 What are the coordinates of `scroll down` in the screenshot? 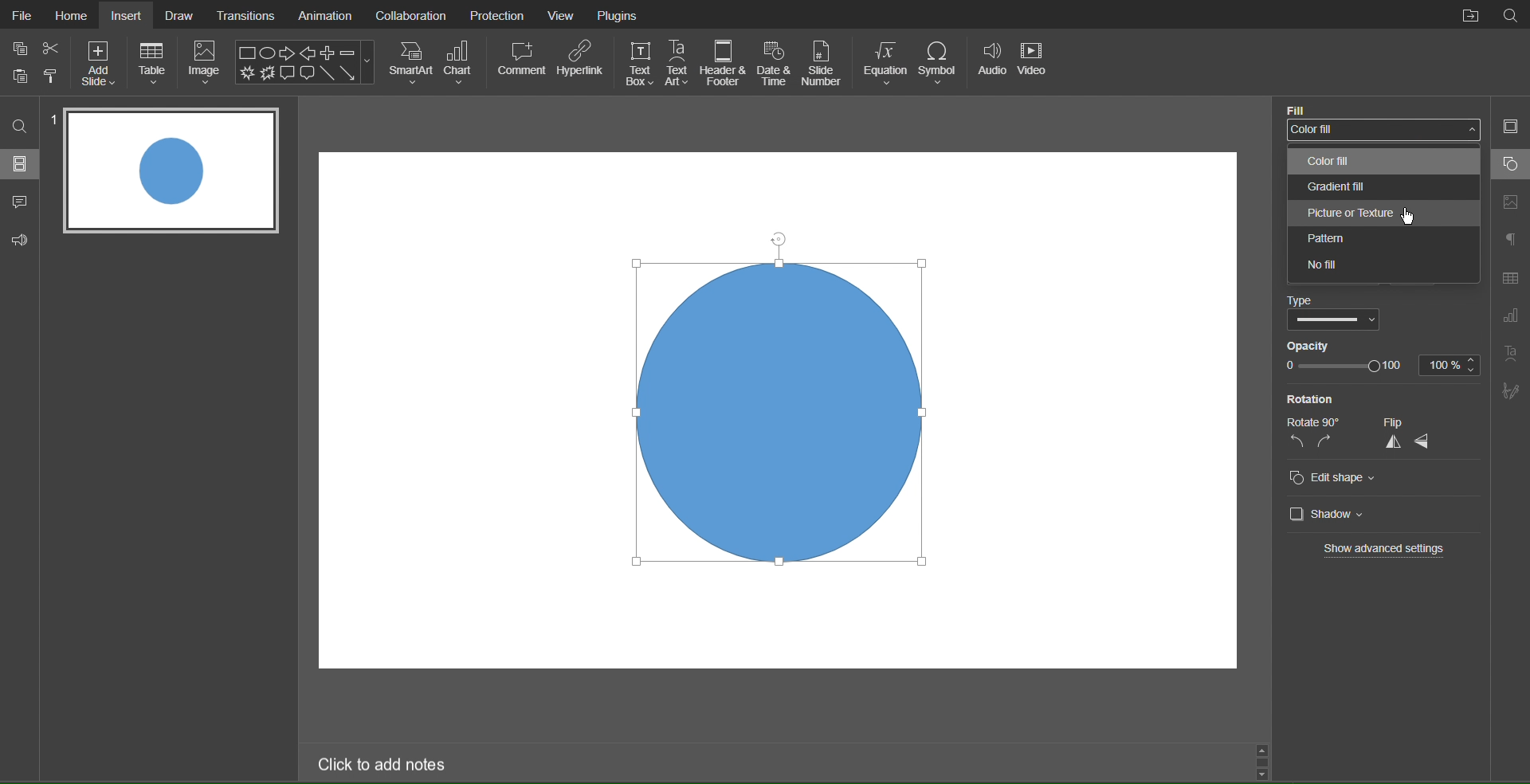 It's located at (1265, 772).